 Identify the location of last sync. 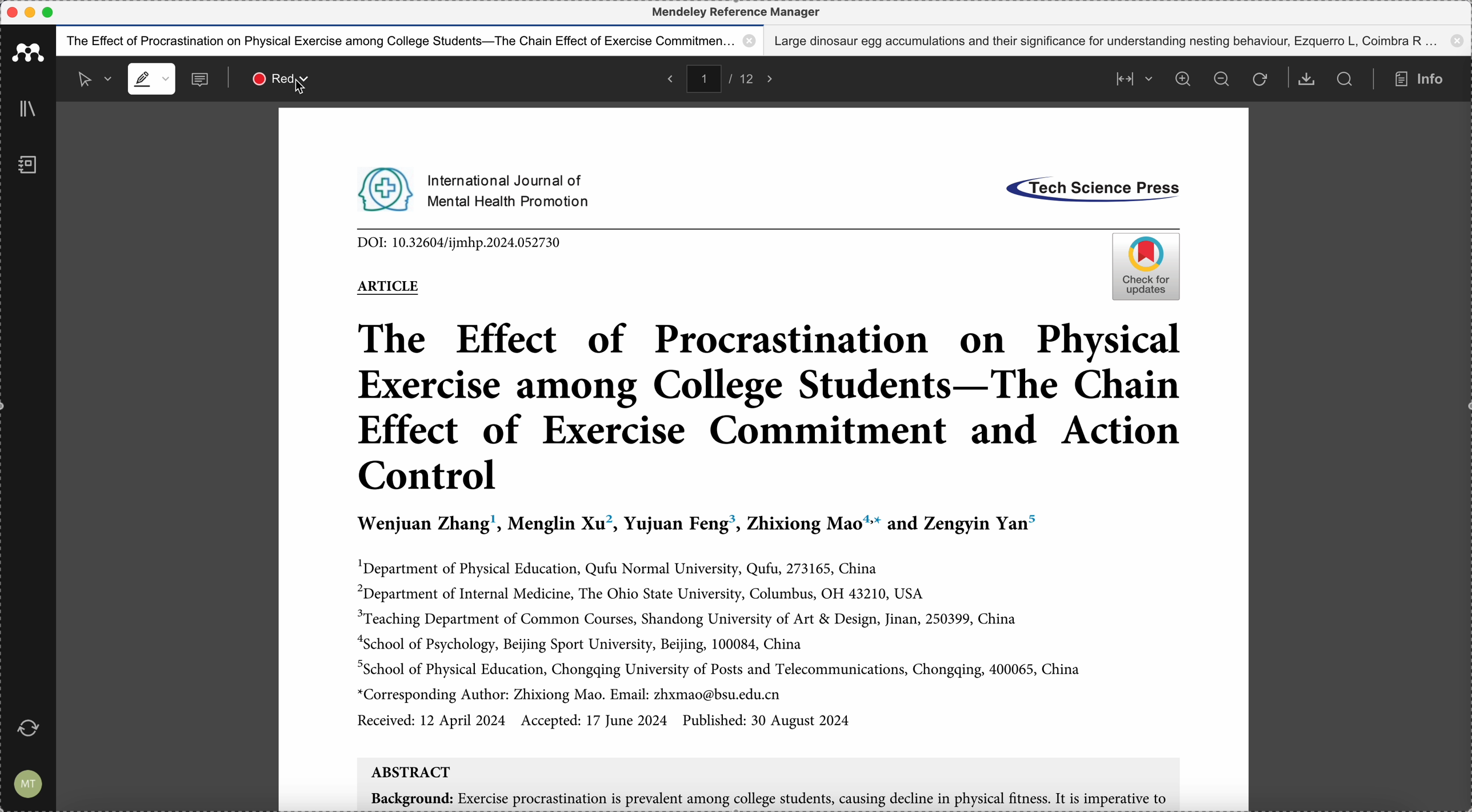
(33, 727).